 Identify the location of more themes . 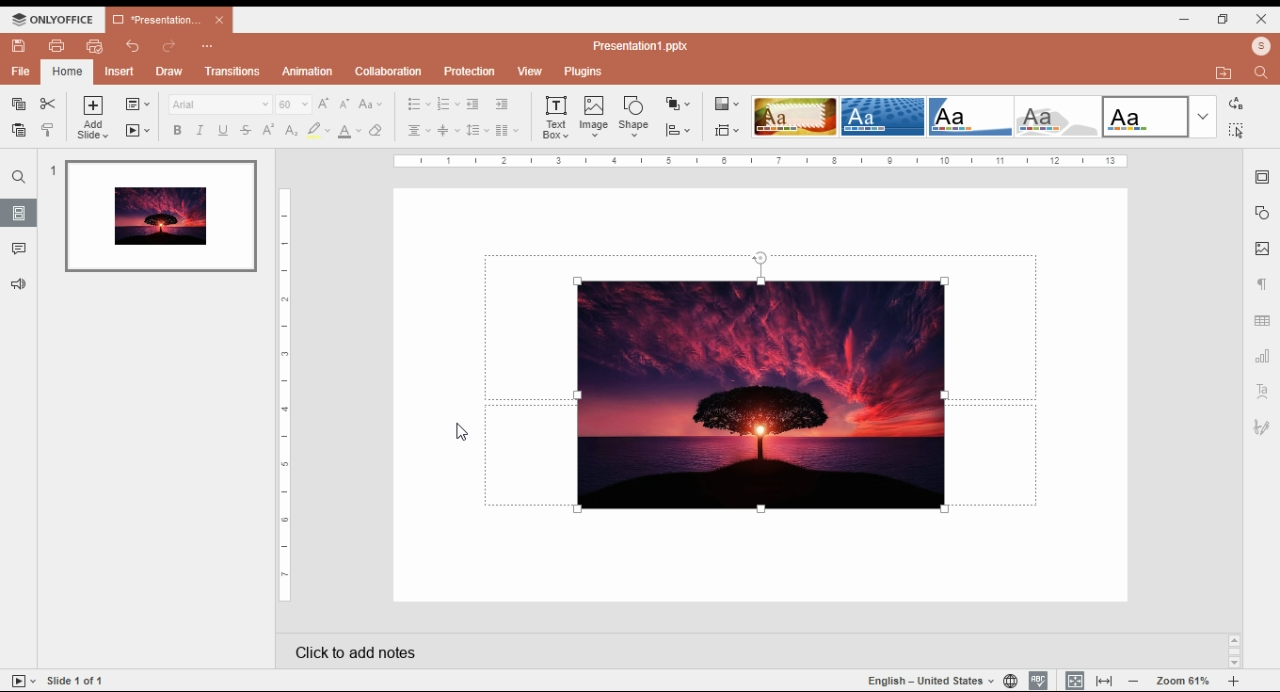
(1203, 117).